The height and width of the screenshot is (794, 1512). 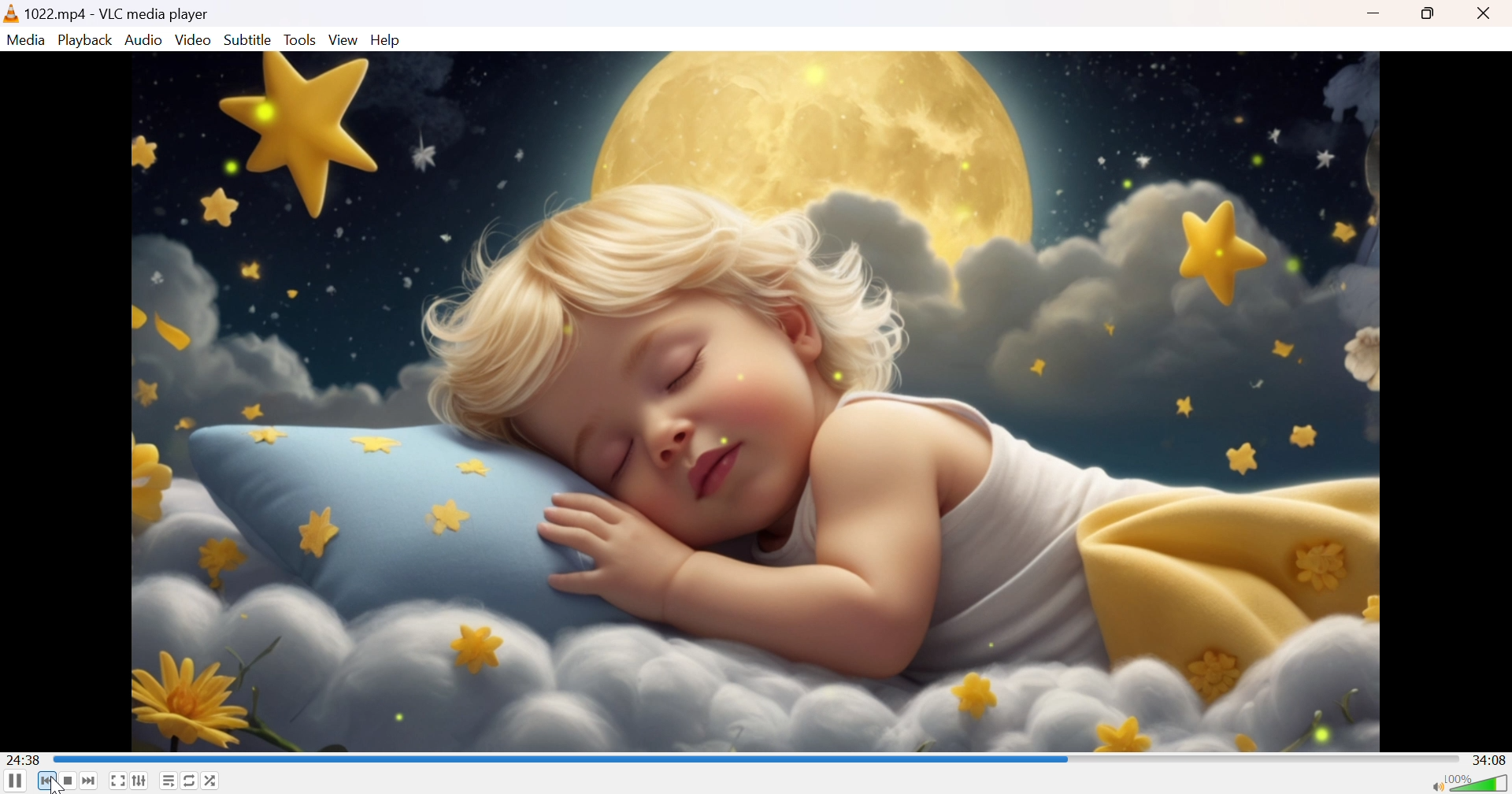 I want to click on Stop playback, so click(x=69, y=781).